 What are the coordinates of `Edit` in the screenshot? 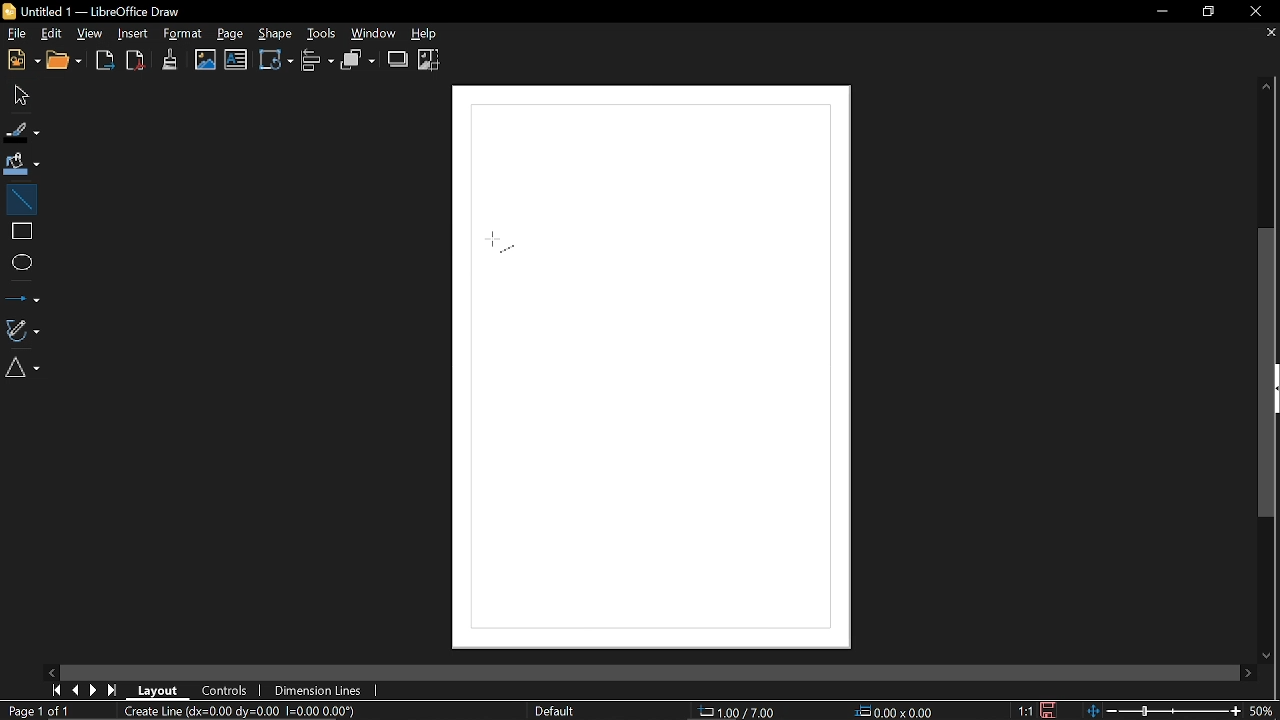 It's located at (52, 32).